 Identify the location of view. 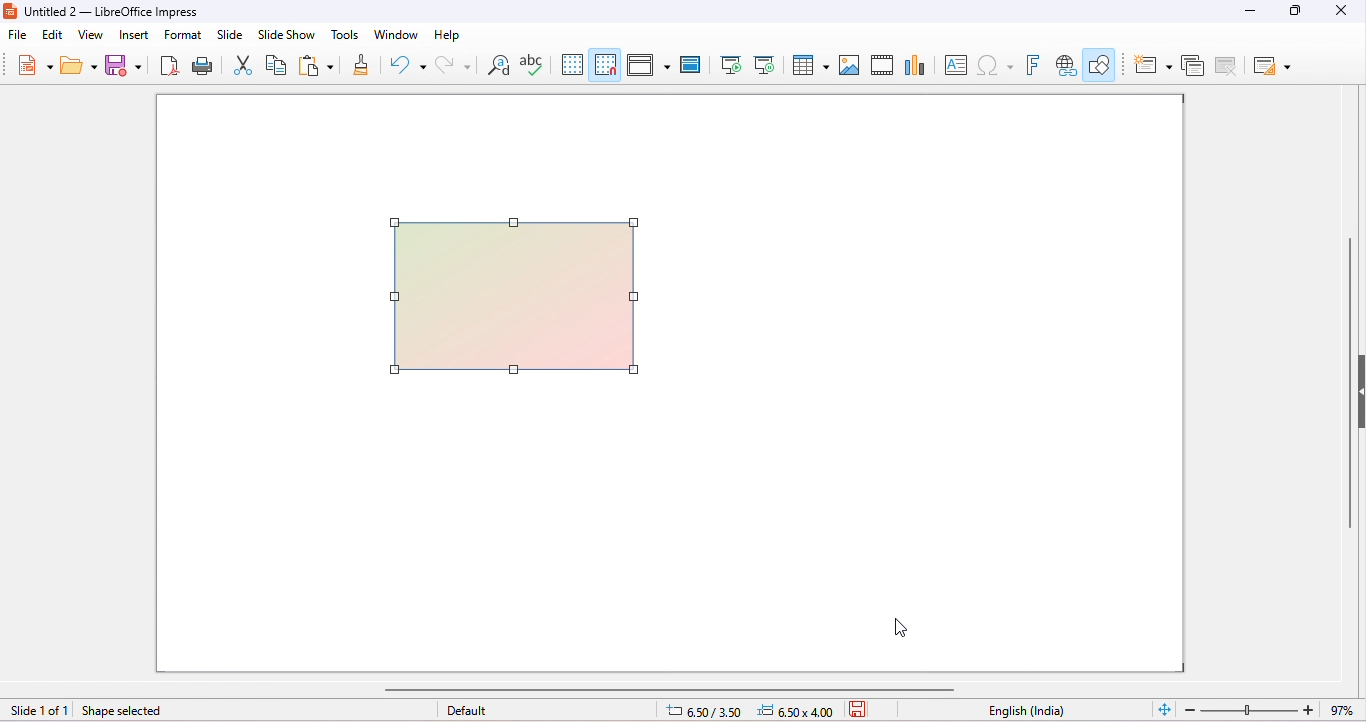
(91, 35).